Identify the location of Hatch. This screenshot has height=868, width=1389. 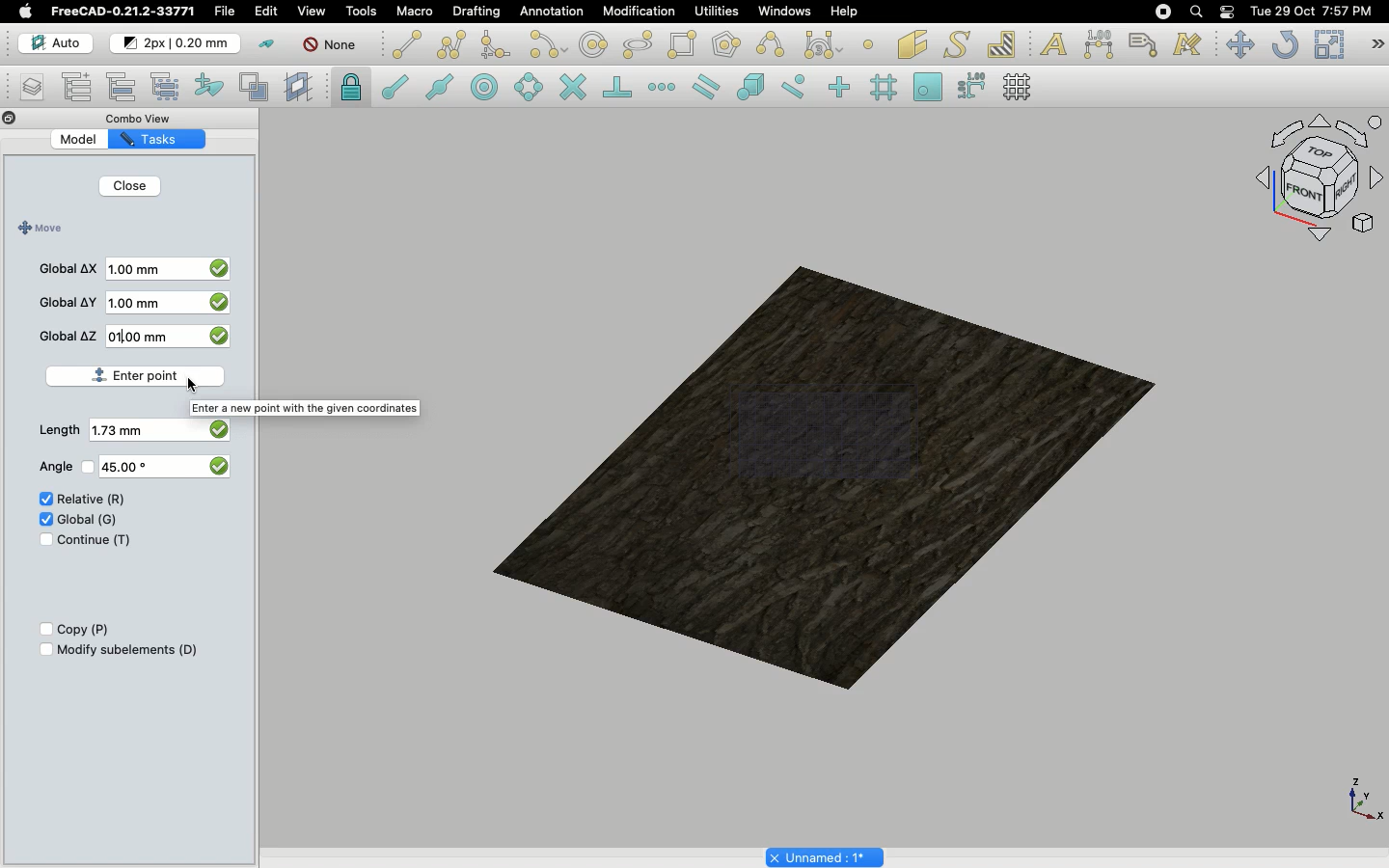
(1002, 44).